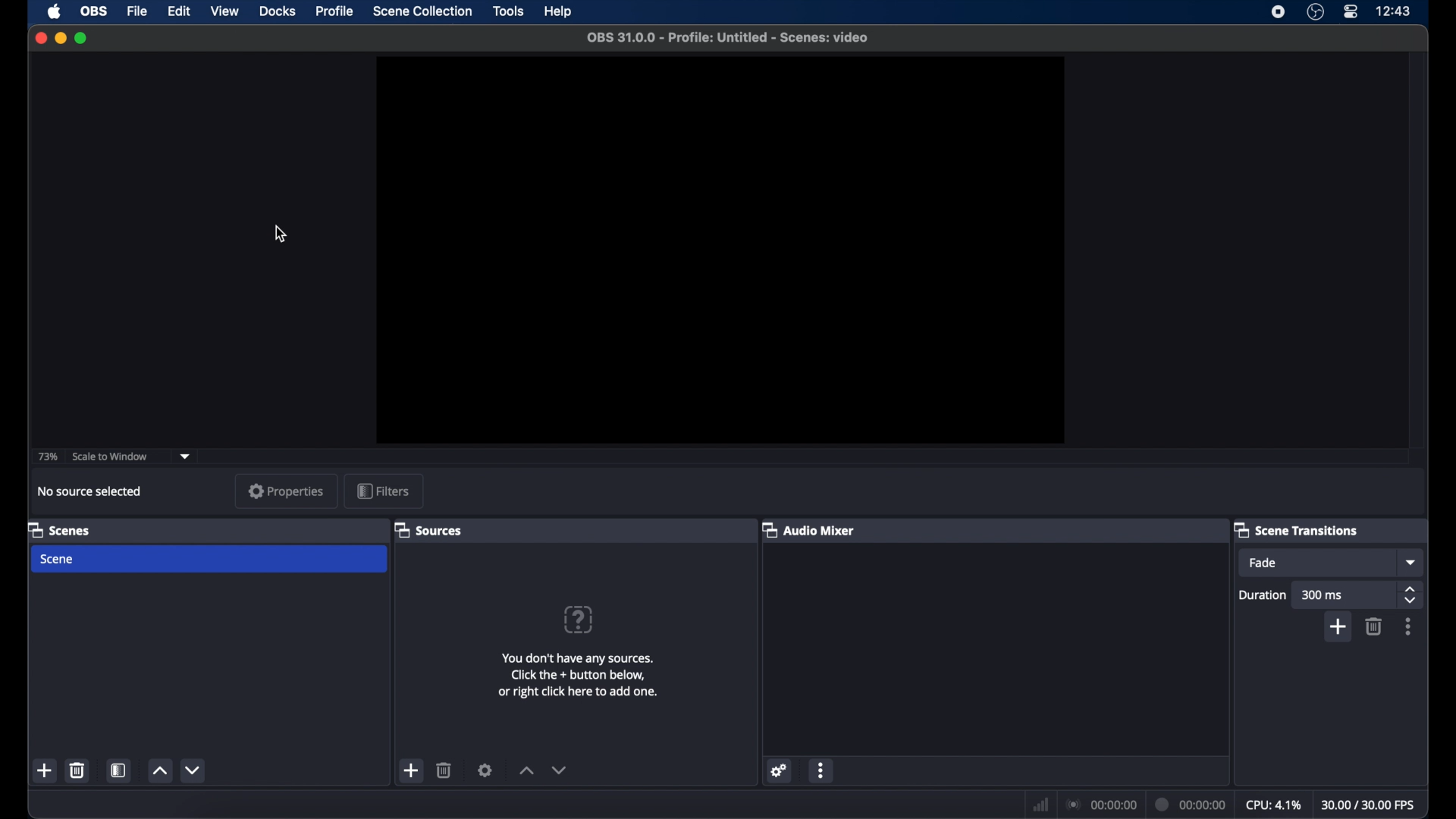  Describe the element at coordinates (527, 770) in the screenshot. I see `increment` at that location.